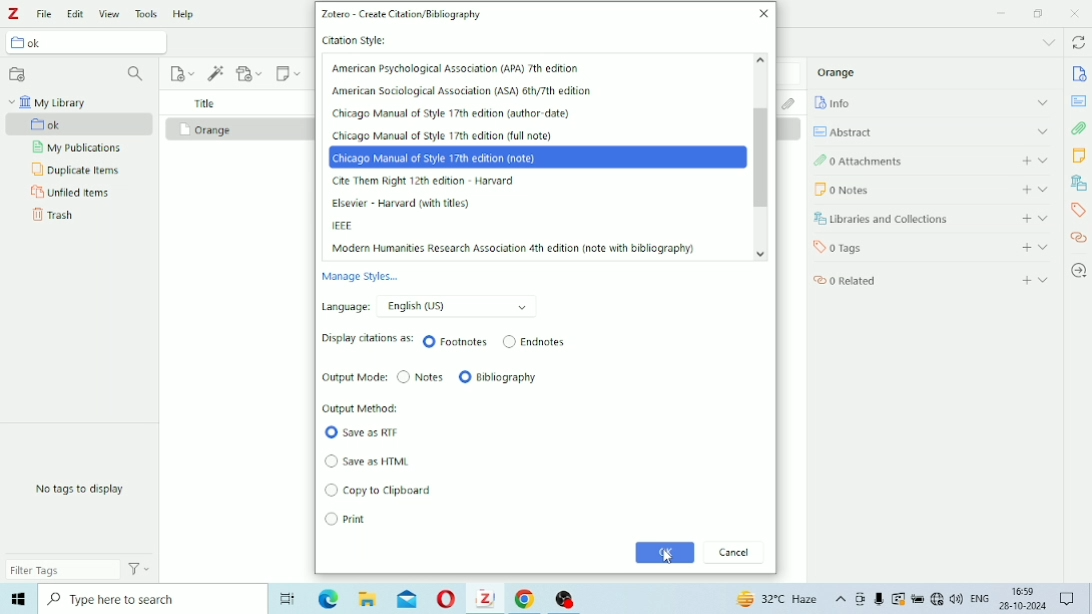  Describe the element at coordinates (937, 600) in the screenshot. I see `Internet` at that location.